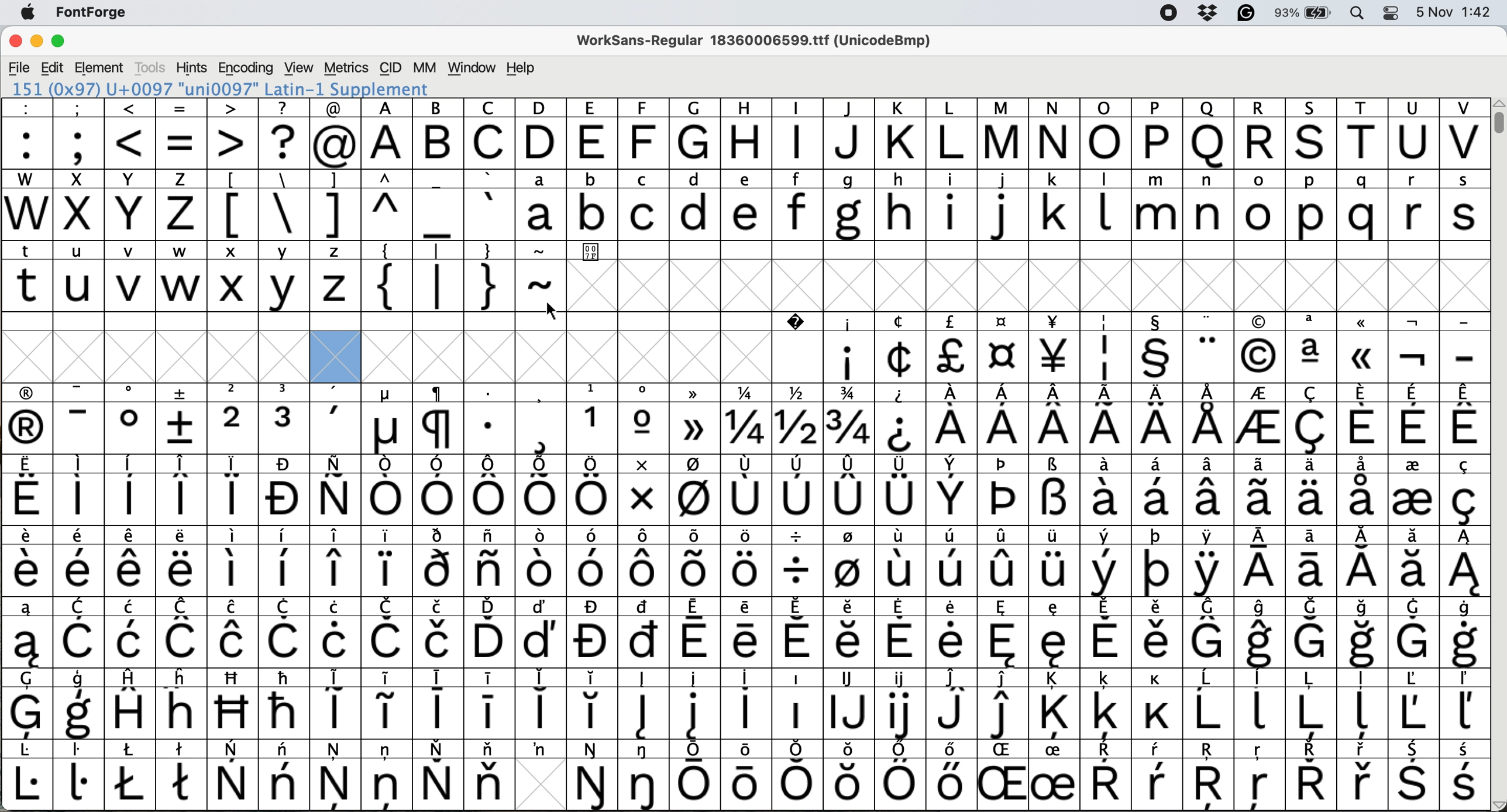 This screenshot has width=1507, height=812. I want to click on symbol, so click(233, 560).